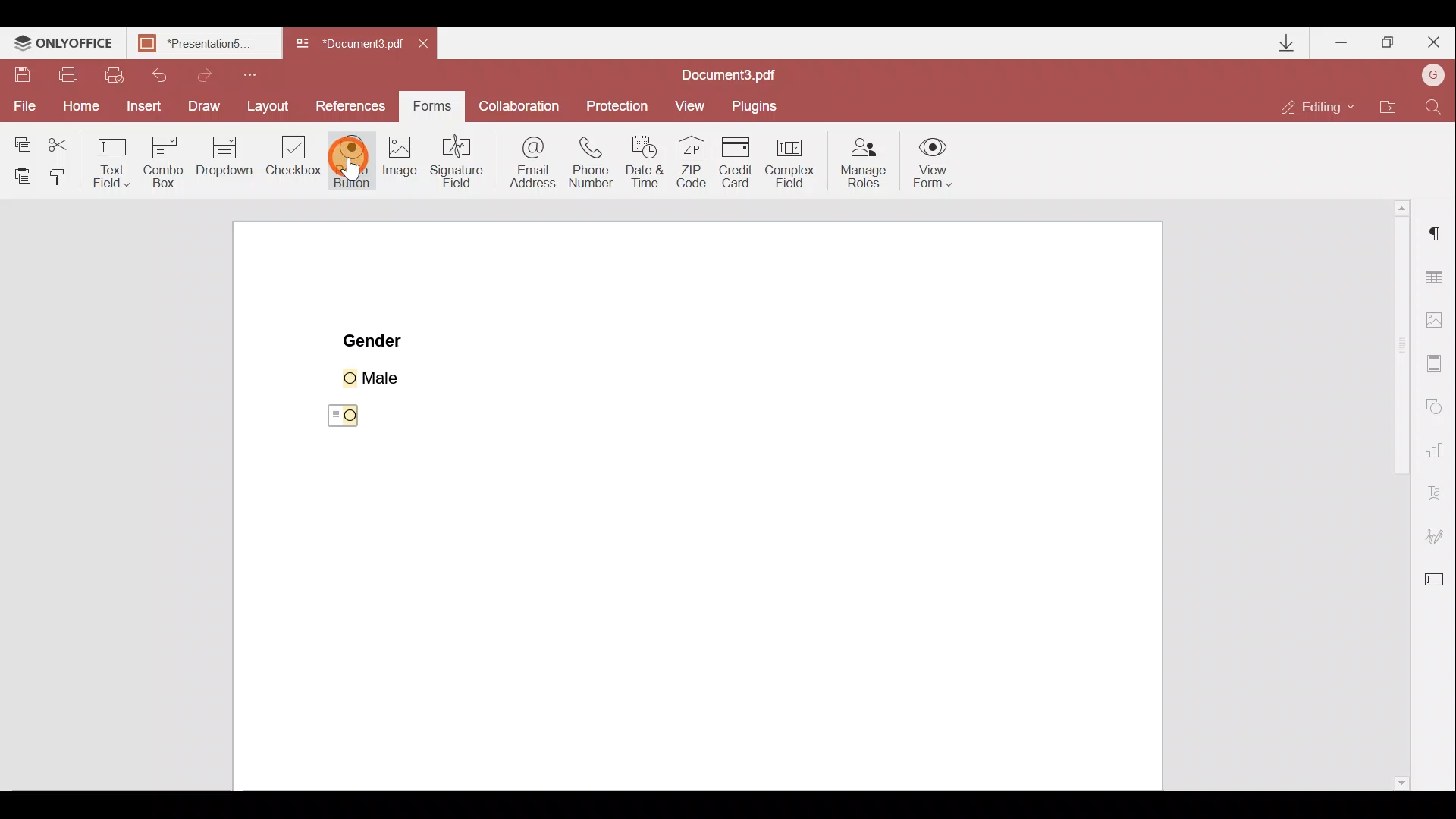 This screenshot has width=1456, height=819. Describe the element at coordinates (1389, 496) in the screenshot. I see `Scroll bar` at that location.